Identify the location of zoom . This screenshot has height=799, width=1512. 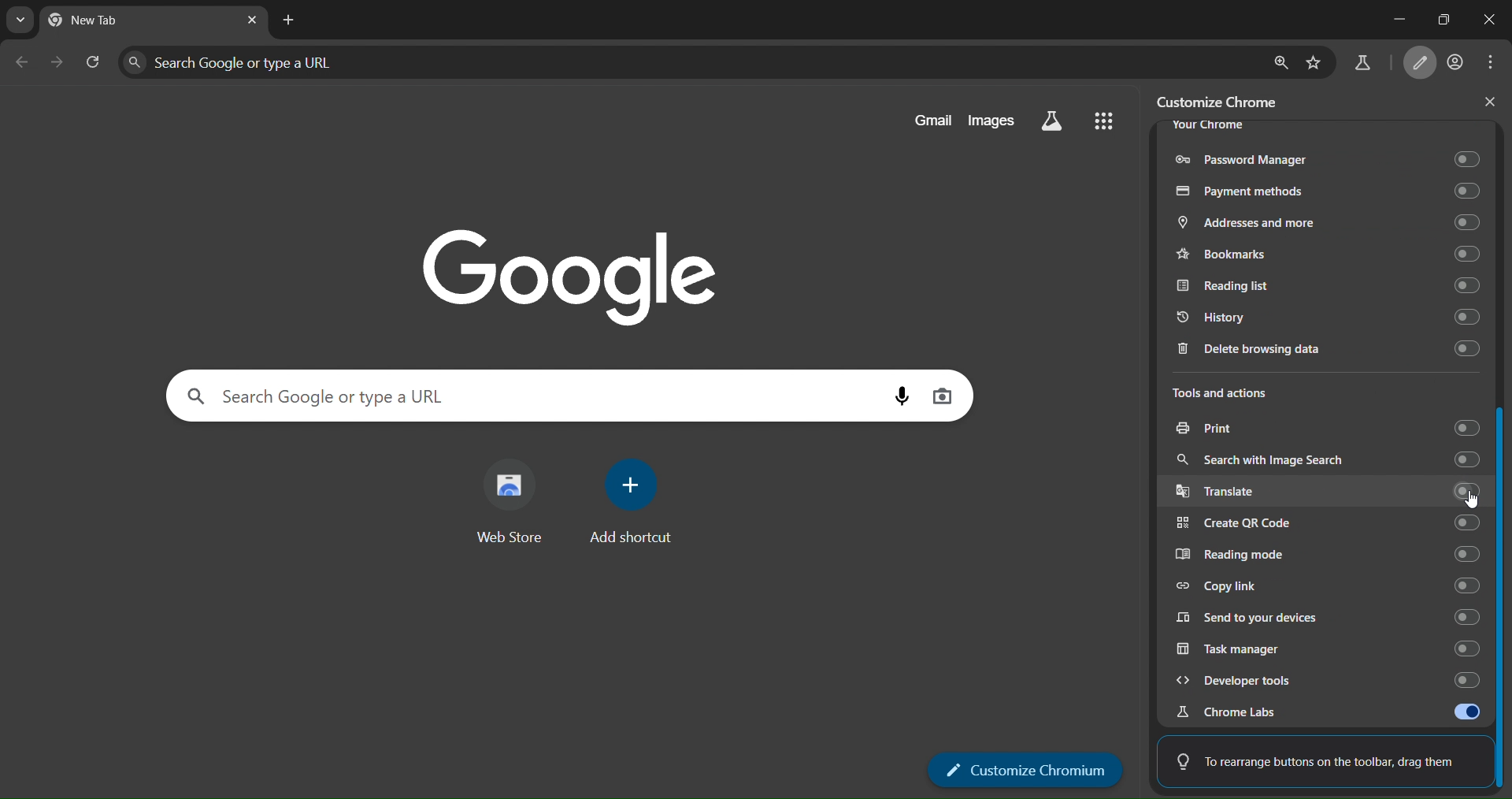
(1280, 59).